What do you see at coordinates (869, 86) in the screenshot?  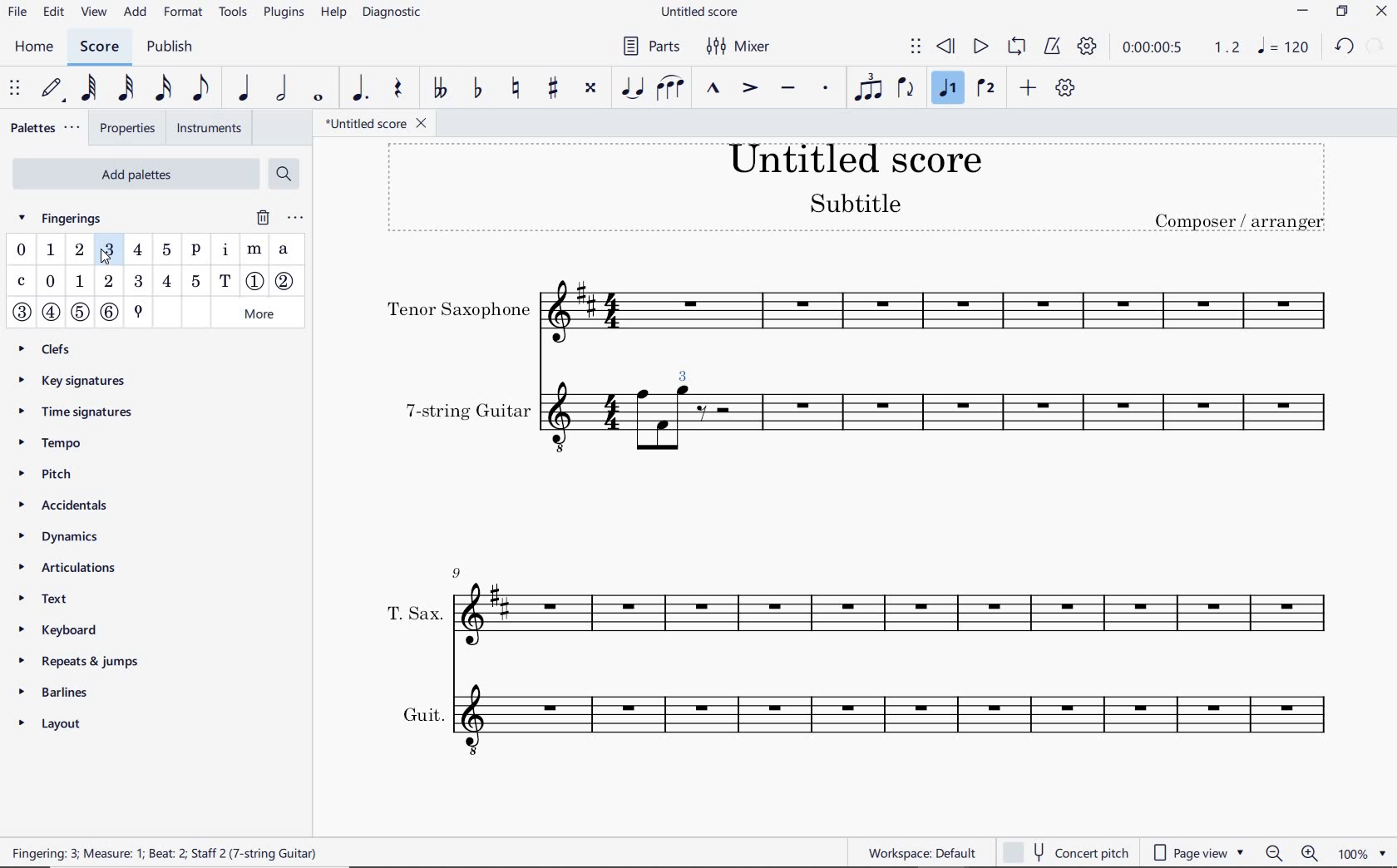 I see `TUPLET` at bounding box center [869, 86].